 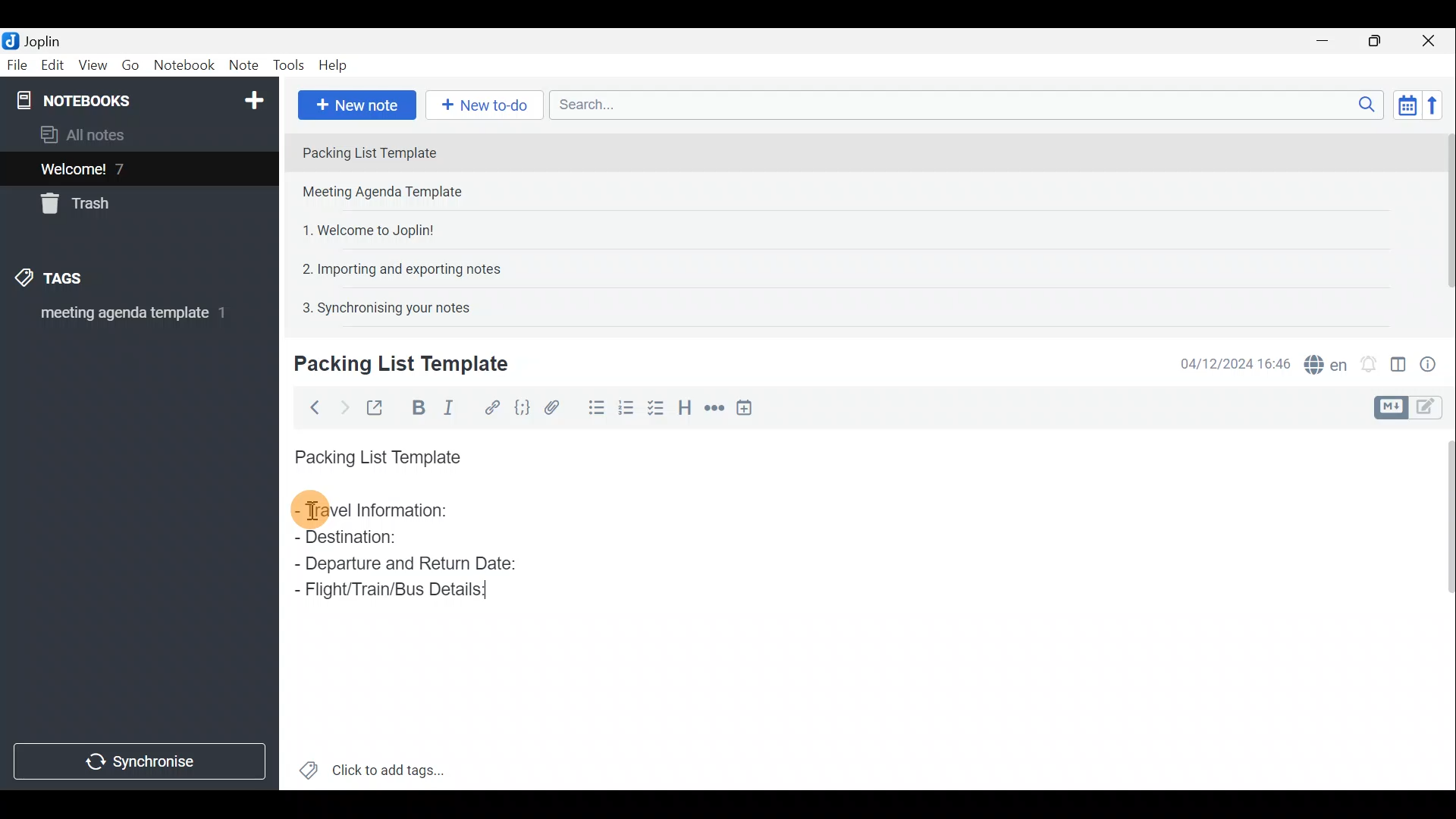 What do you see at coordinates (1438, 104) in the screenshot?
I see `Reverse sort order` at bounding box center [1438, 104].